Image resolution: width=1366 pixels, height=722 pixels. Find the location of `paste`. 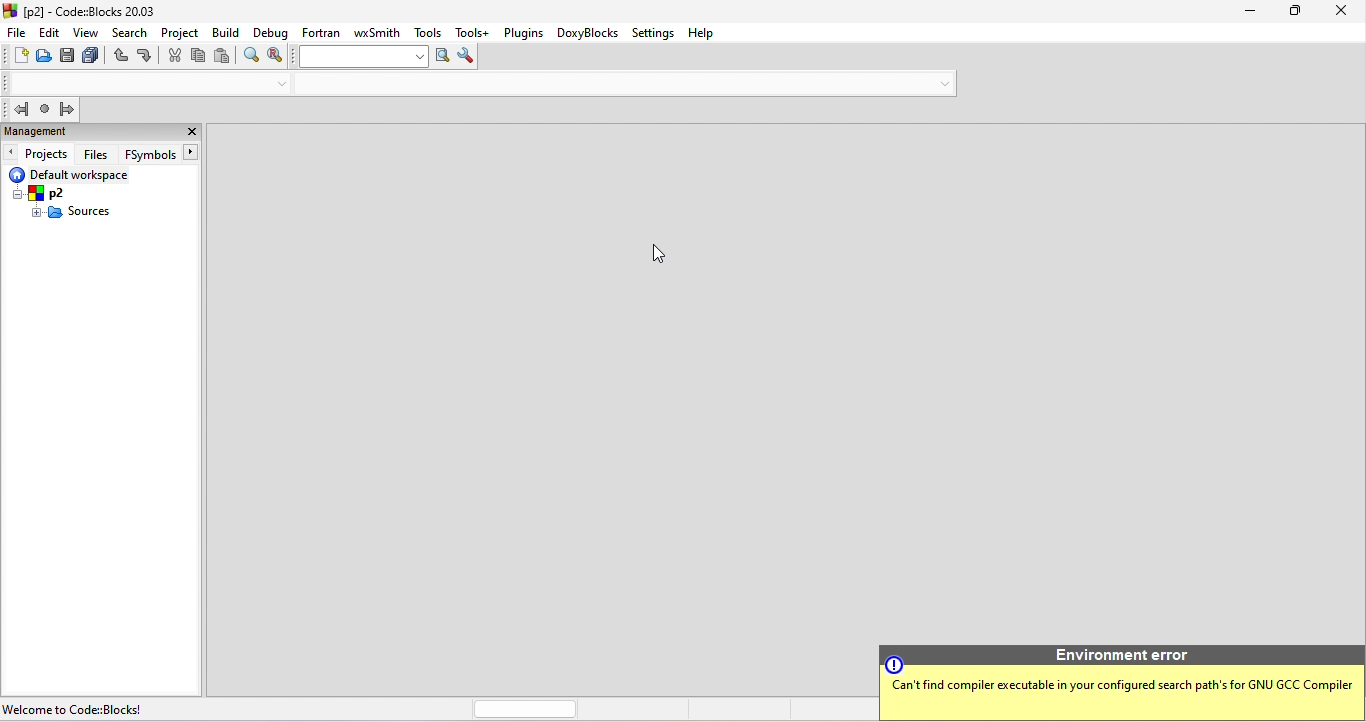

paste is located at coordinates (223, 58).